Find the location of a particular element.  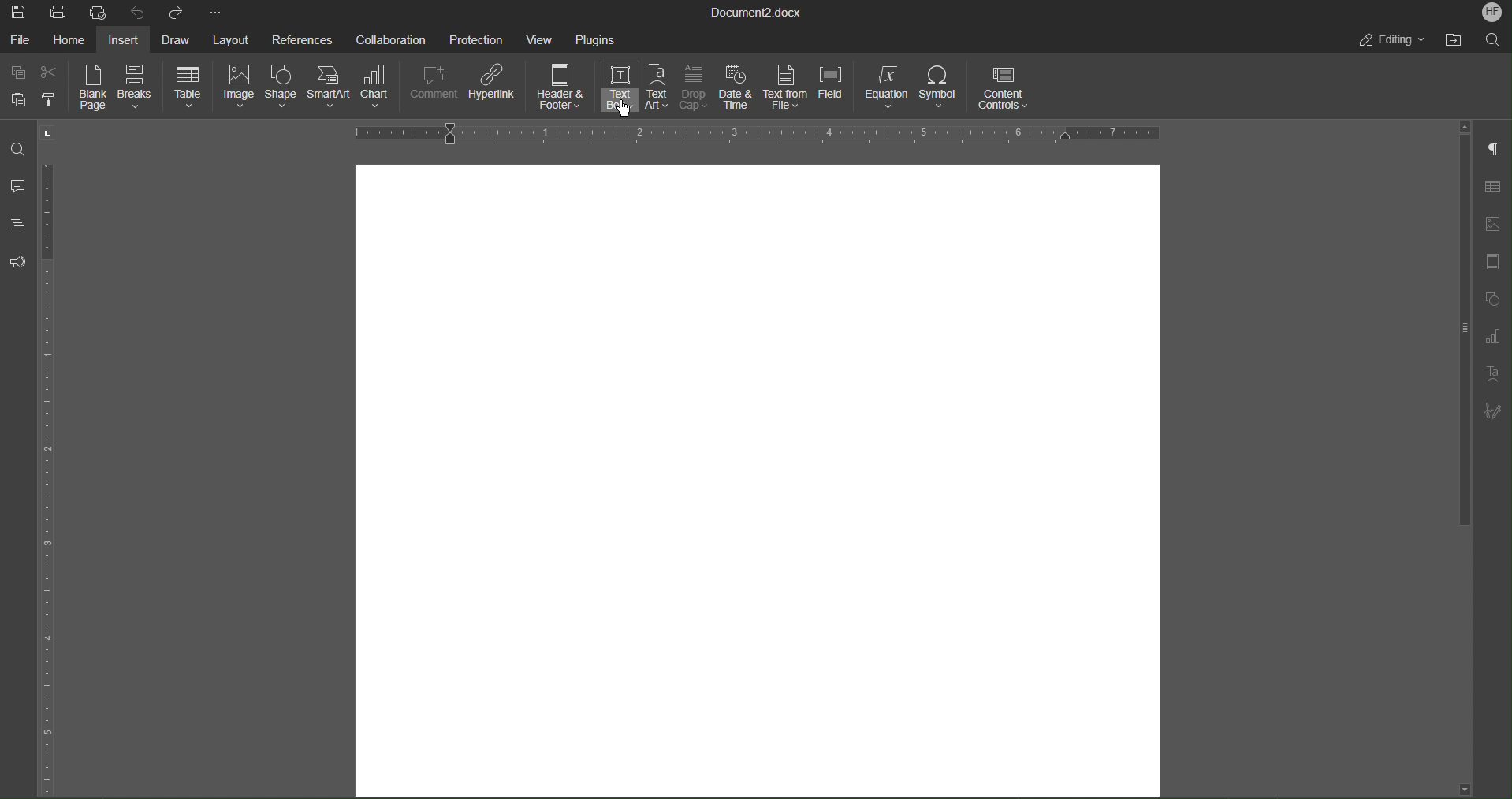

Comment is located at coordinates (434, 88).